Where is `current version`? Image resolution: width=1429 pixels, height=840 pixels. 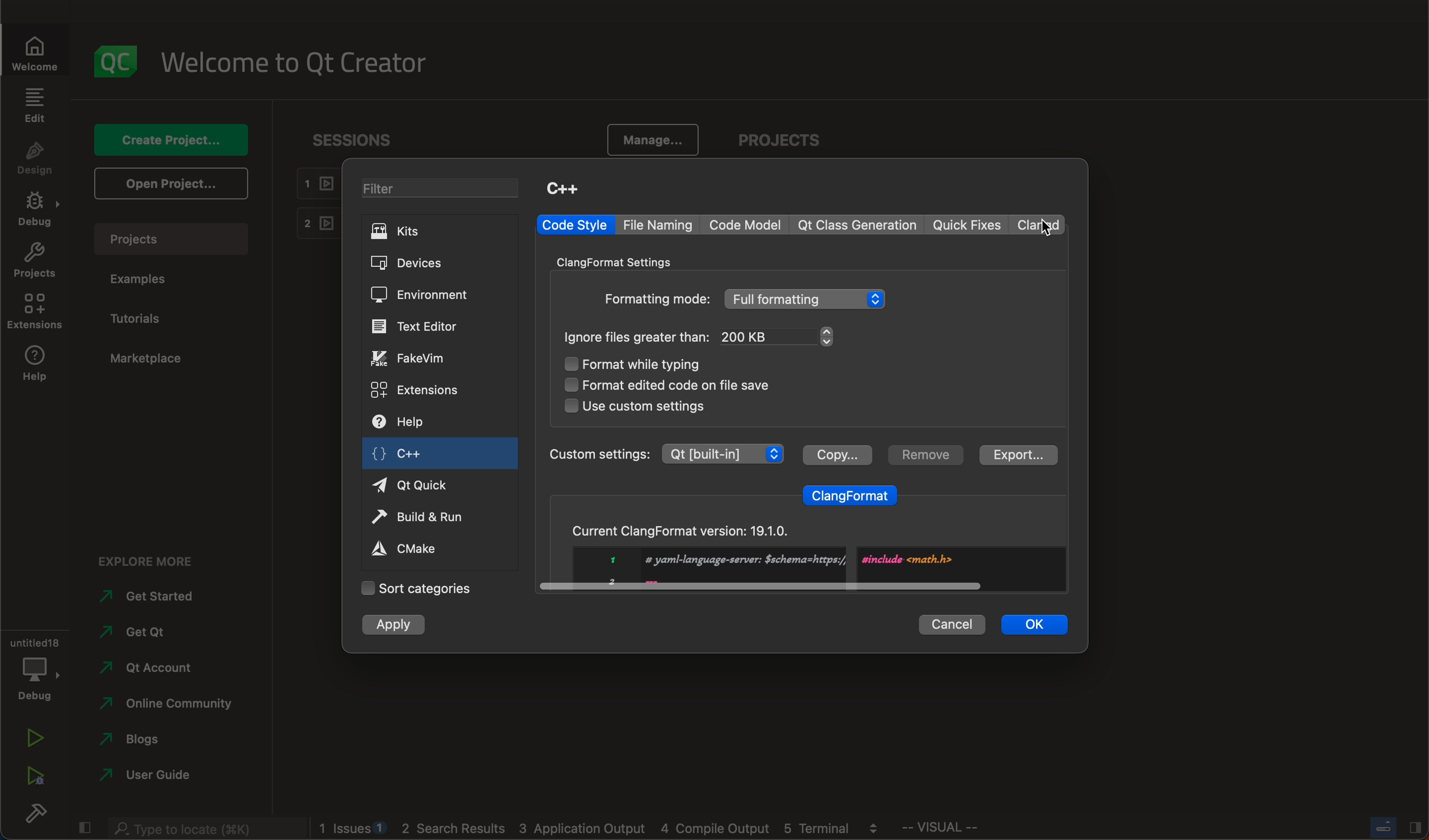 current version is located at coordinates (804, 557).